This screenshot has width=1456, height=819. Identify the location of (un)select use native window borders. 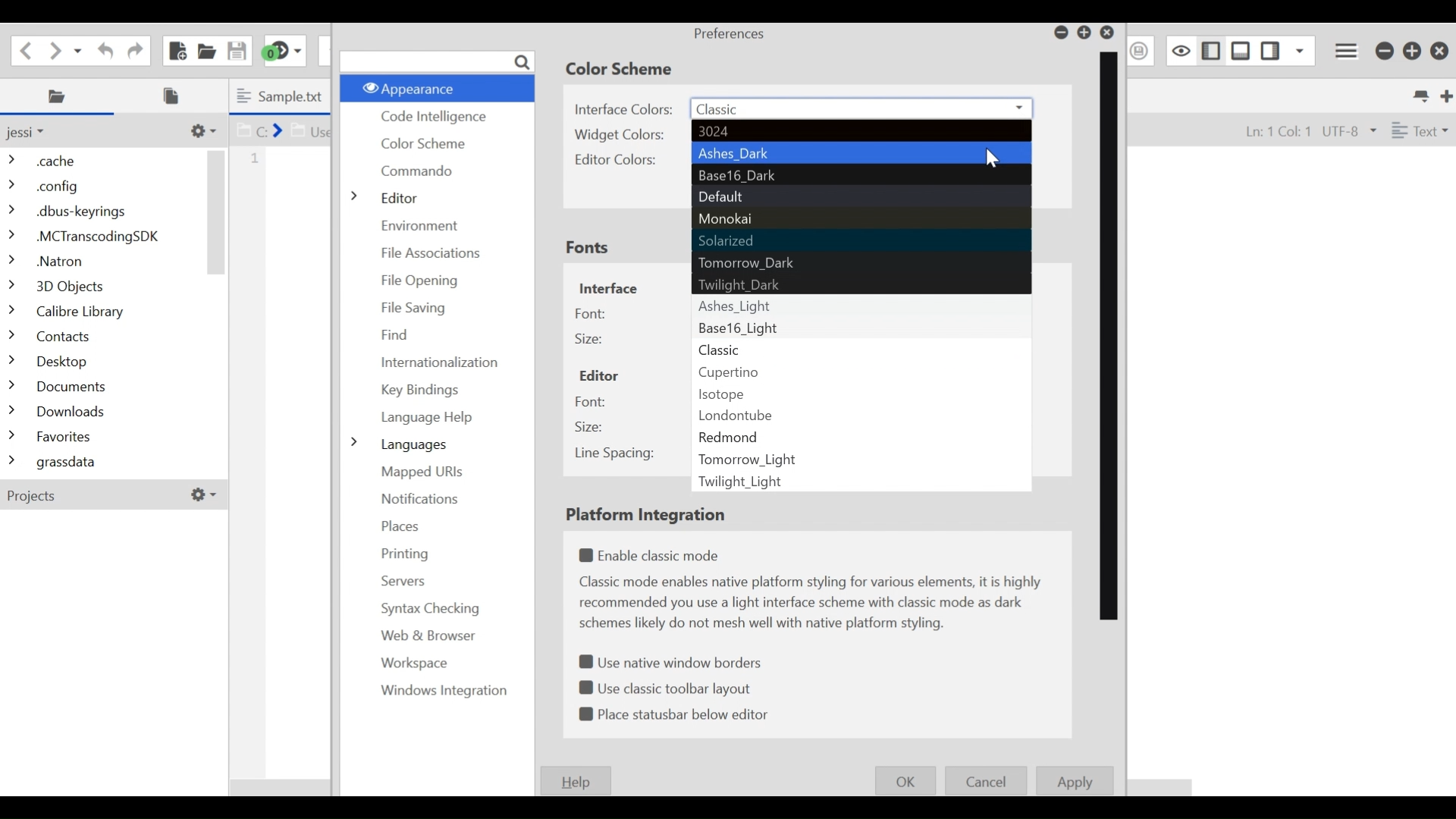
(675, 660).